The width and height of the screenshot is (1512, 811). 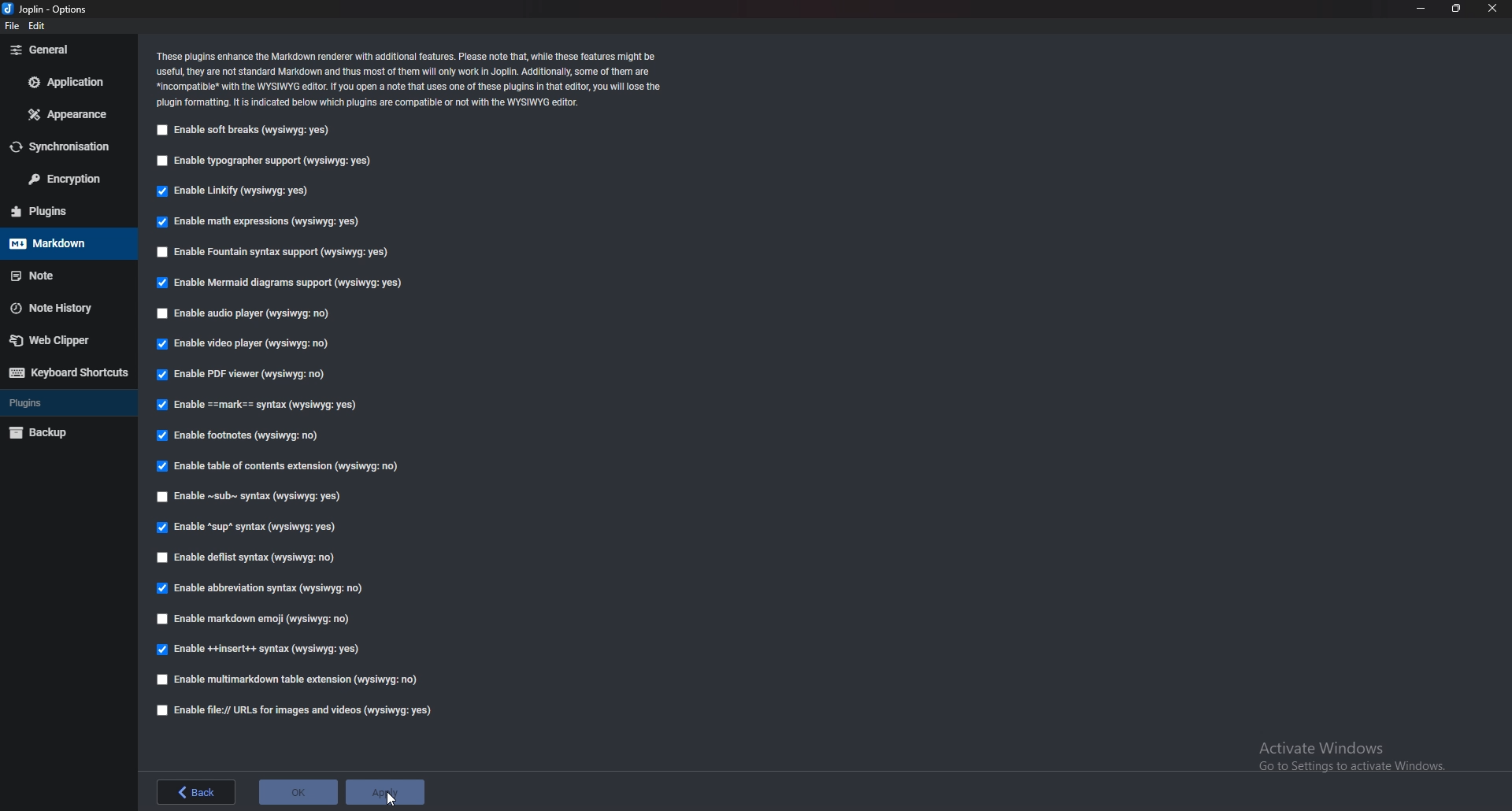 I want to click on Enable table of contents extension, so click(x=280, y=466).